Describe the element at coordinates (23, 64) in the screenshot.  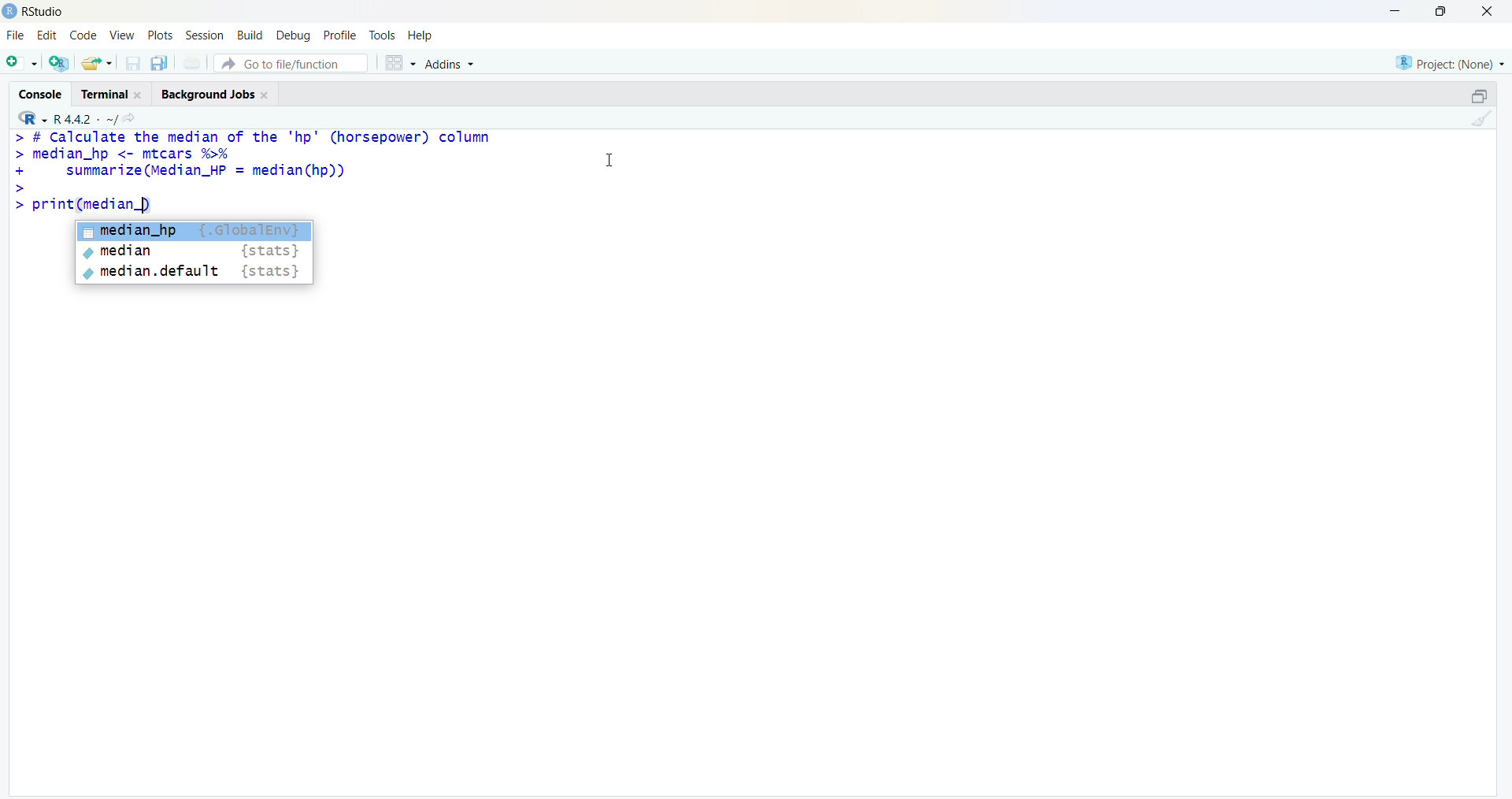
I see `open file as` at that location.